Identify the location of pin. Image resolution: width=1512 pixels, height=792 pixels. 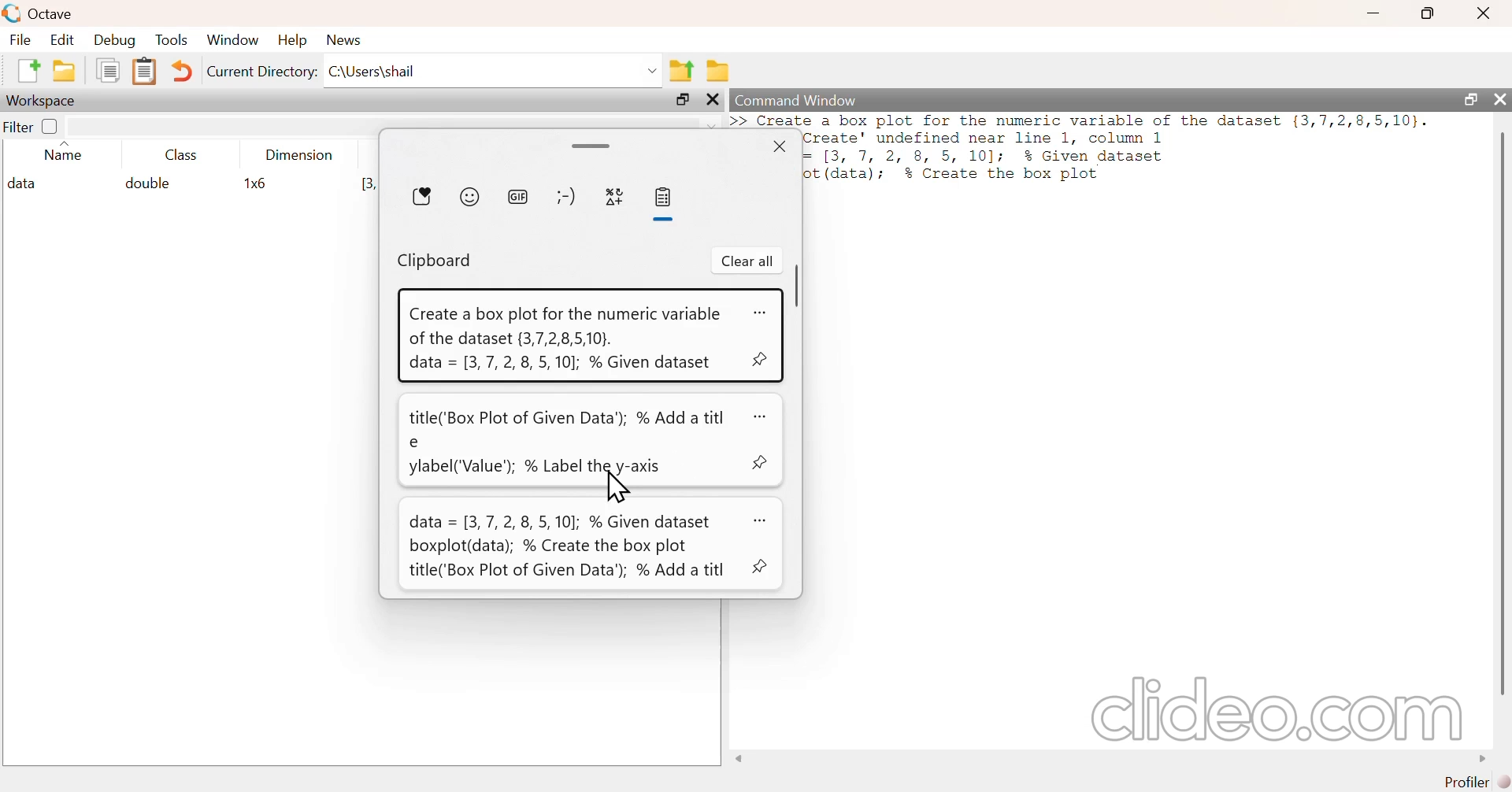
(762, 465).